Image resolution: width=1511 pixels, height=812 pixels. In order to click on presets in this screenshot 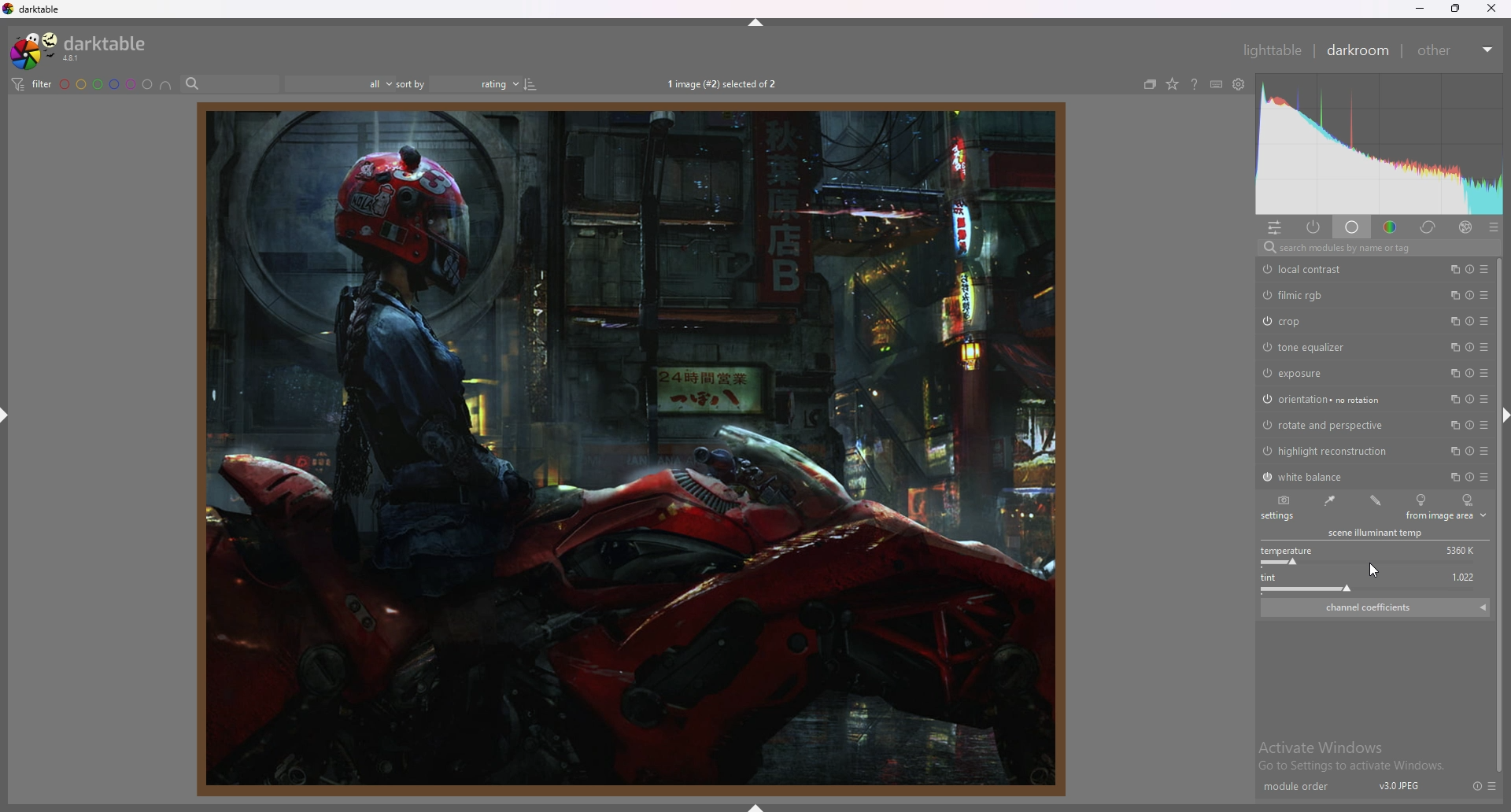, I will do `click(1484, 477)`.